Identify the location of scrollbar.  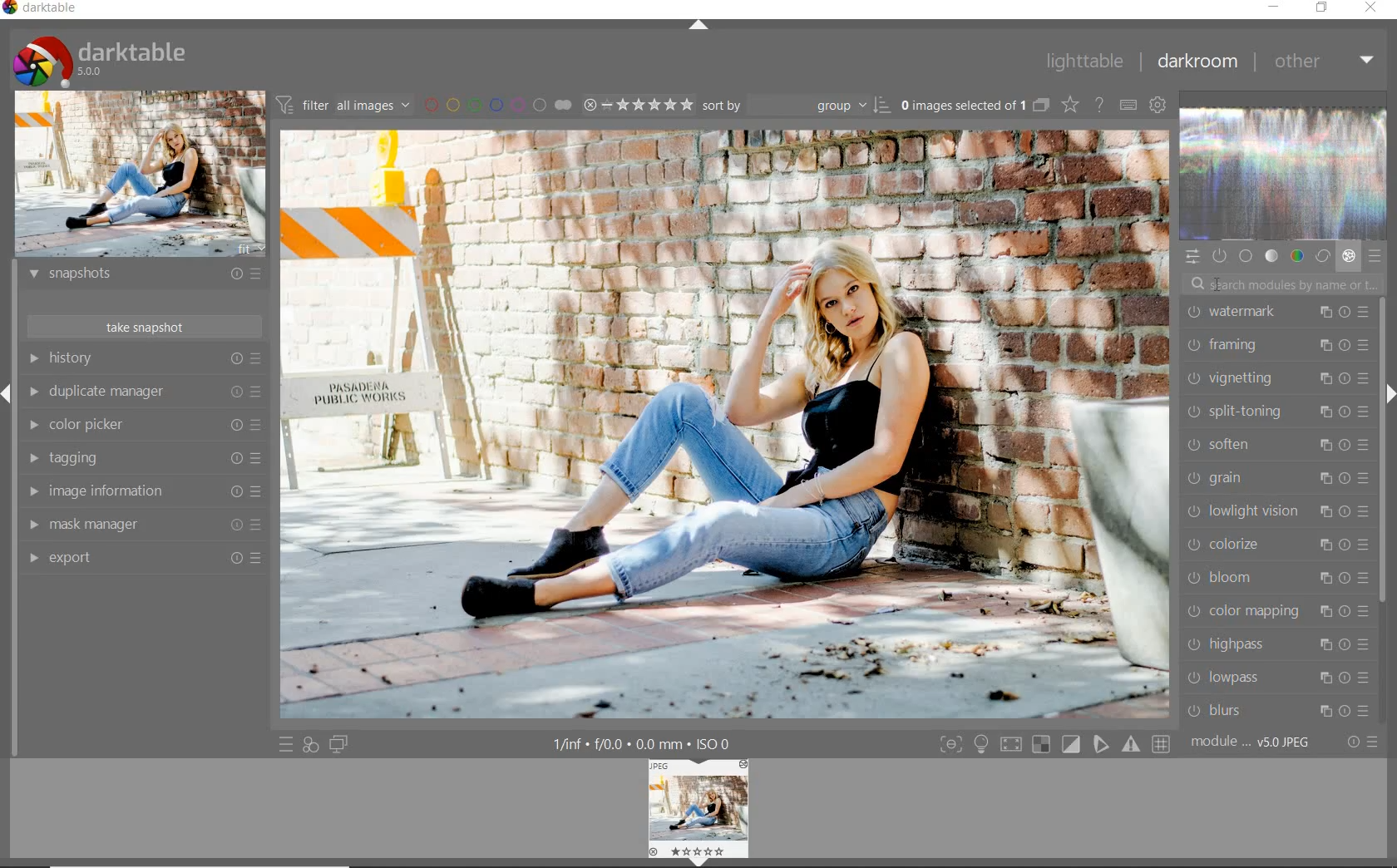
(1382, 455).